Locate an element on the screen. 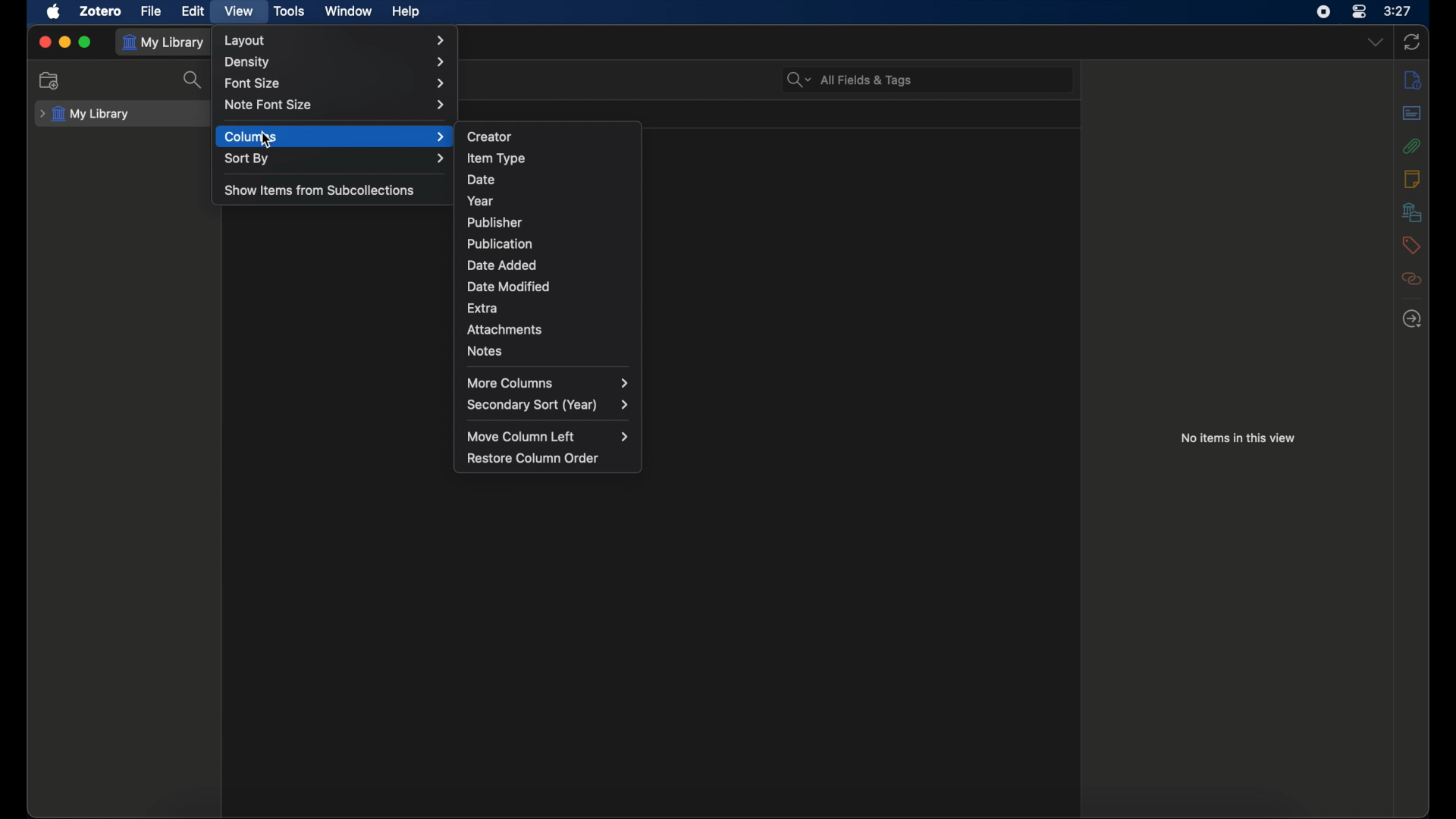 The image size is (1456, 819). date added is located at coordinates (502, 265).